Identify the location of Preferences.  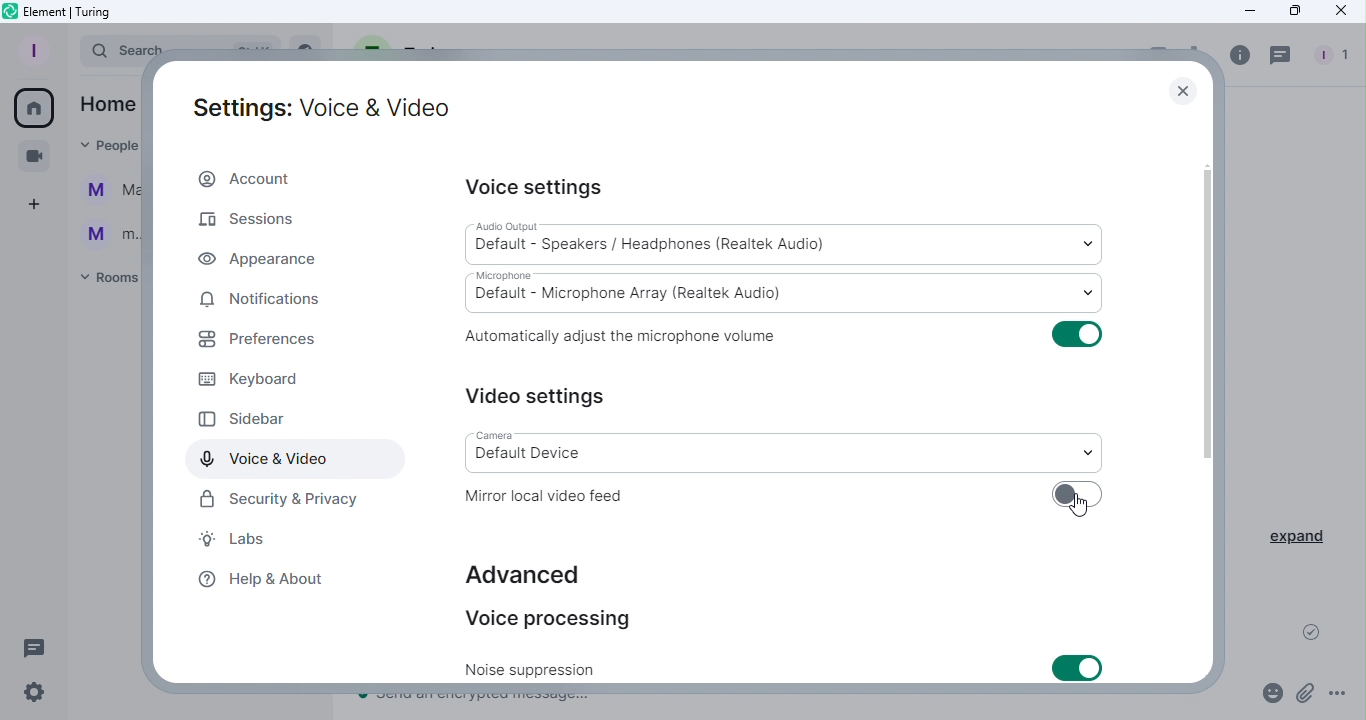
(256, 339).